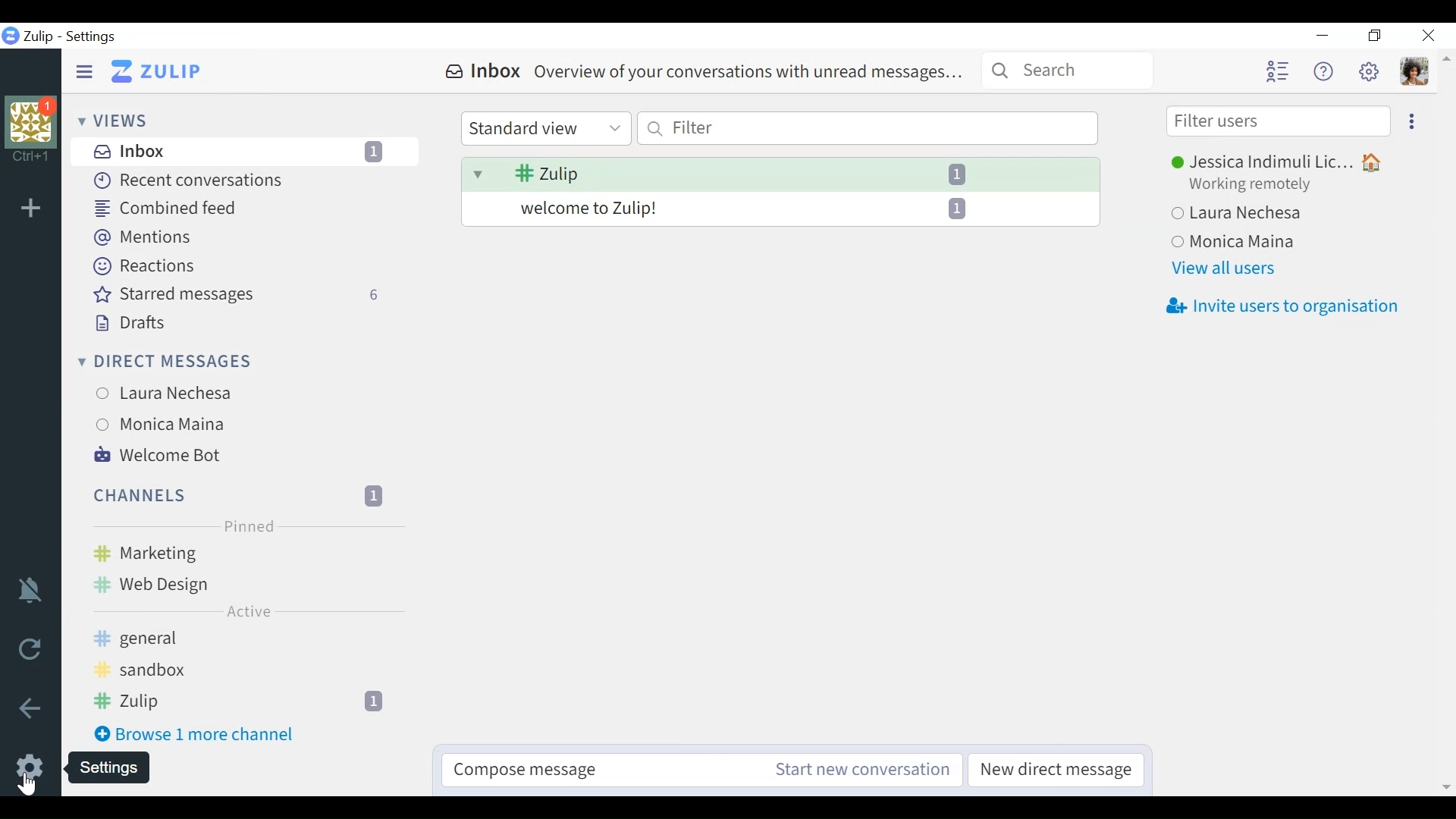 The width and height of the screenshot is (1456, 819). What do you see at coordinates (247, 456) in the screenshot?
I see `Welcome Bot` at bounding box center [247, 456].